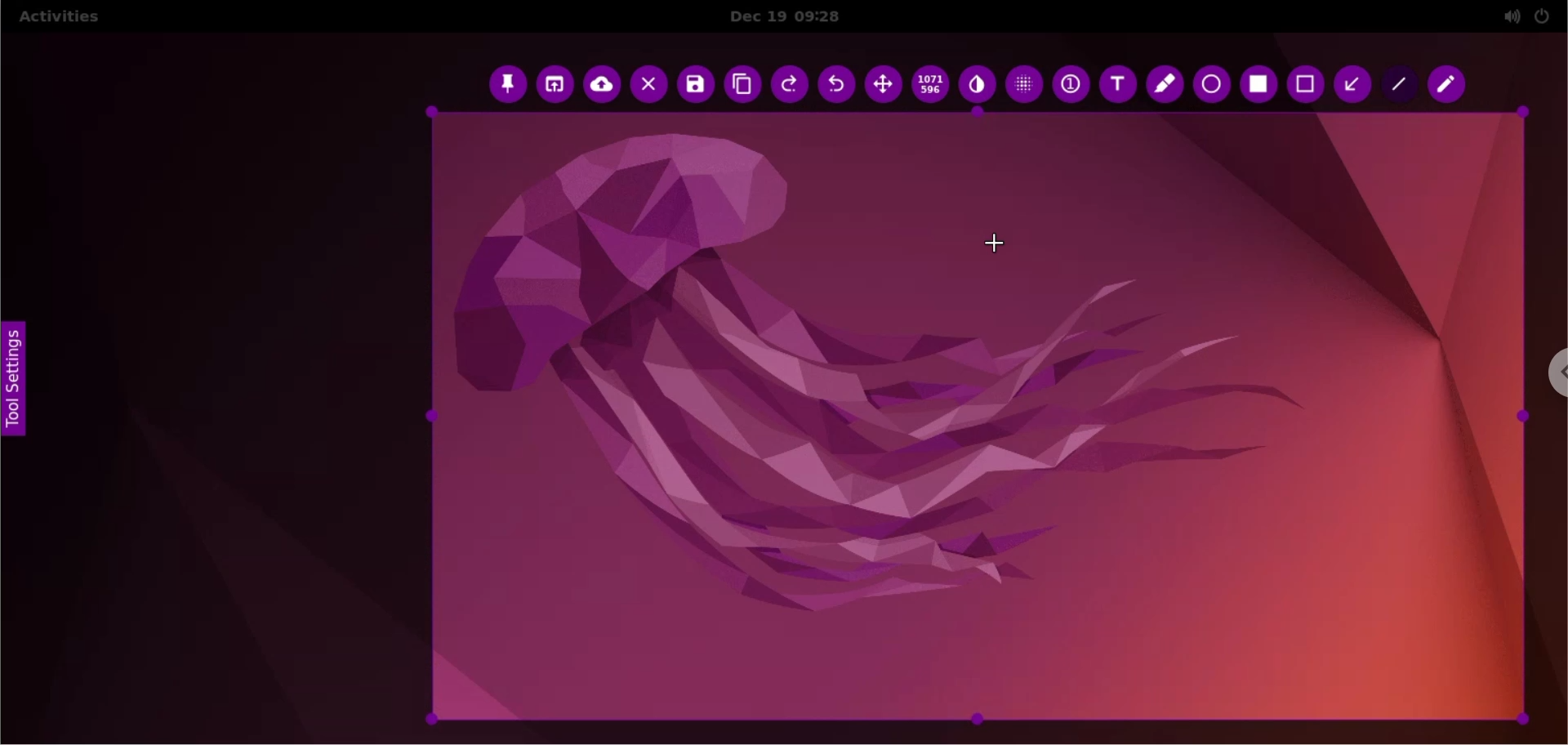 The image size is (1568, 745). I want to click on cancel capture, so click(650, 84).